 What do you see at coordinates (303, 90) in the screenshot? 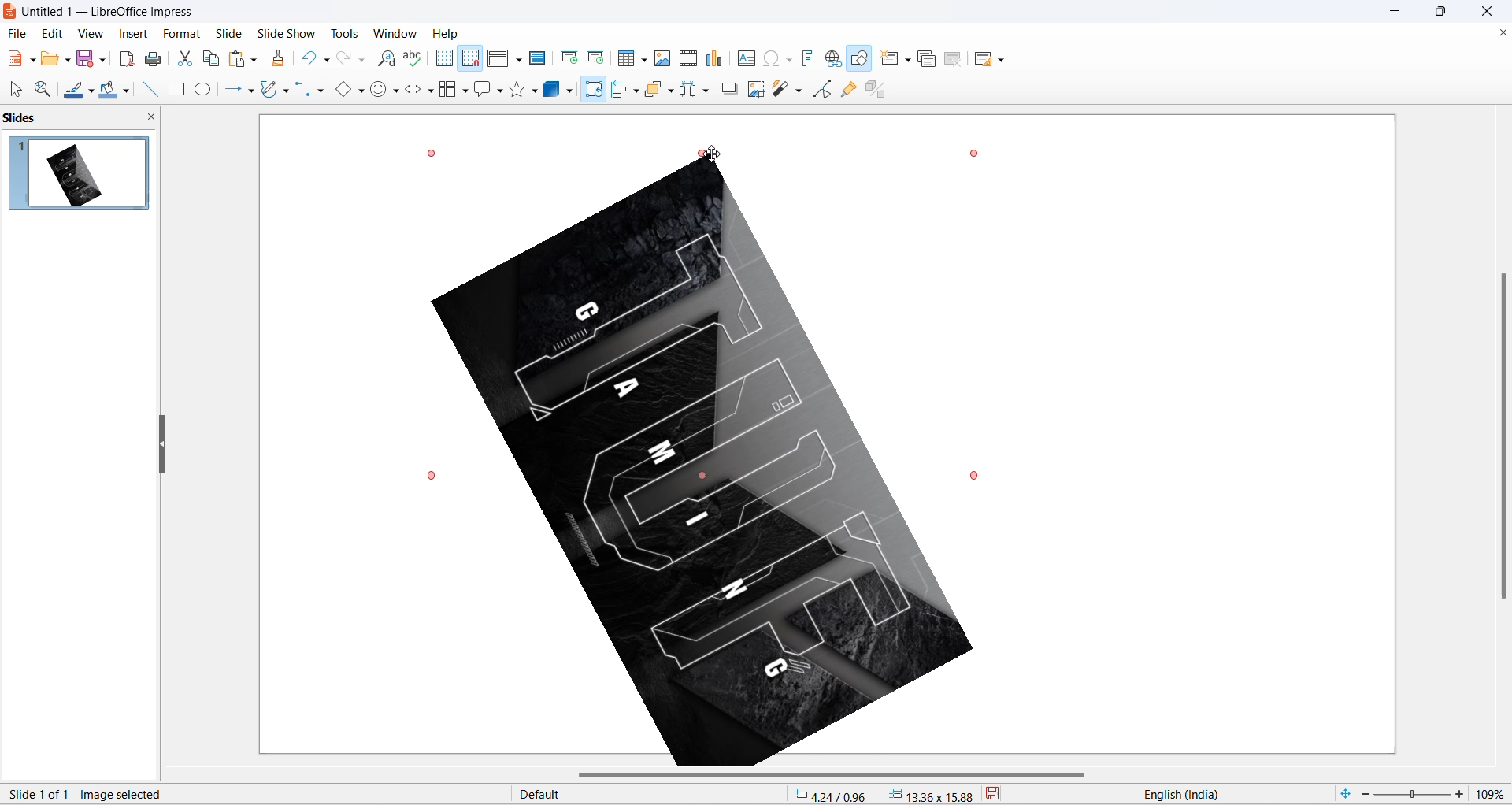
I see `connectors` at bounding box center [303, 90].